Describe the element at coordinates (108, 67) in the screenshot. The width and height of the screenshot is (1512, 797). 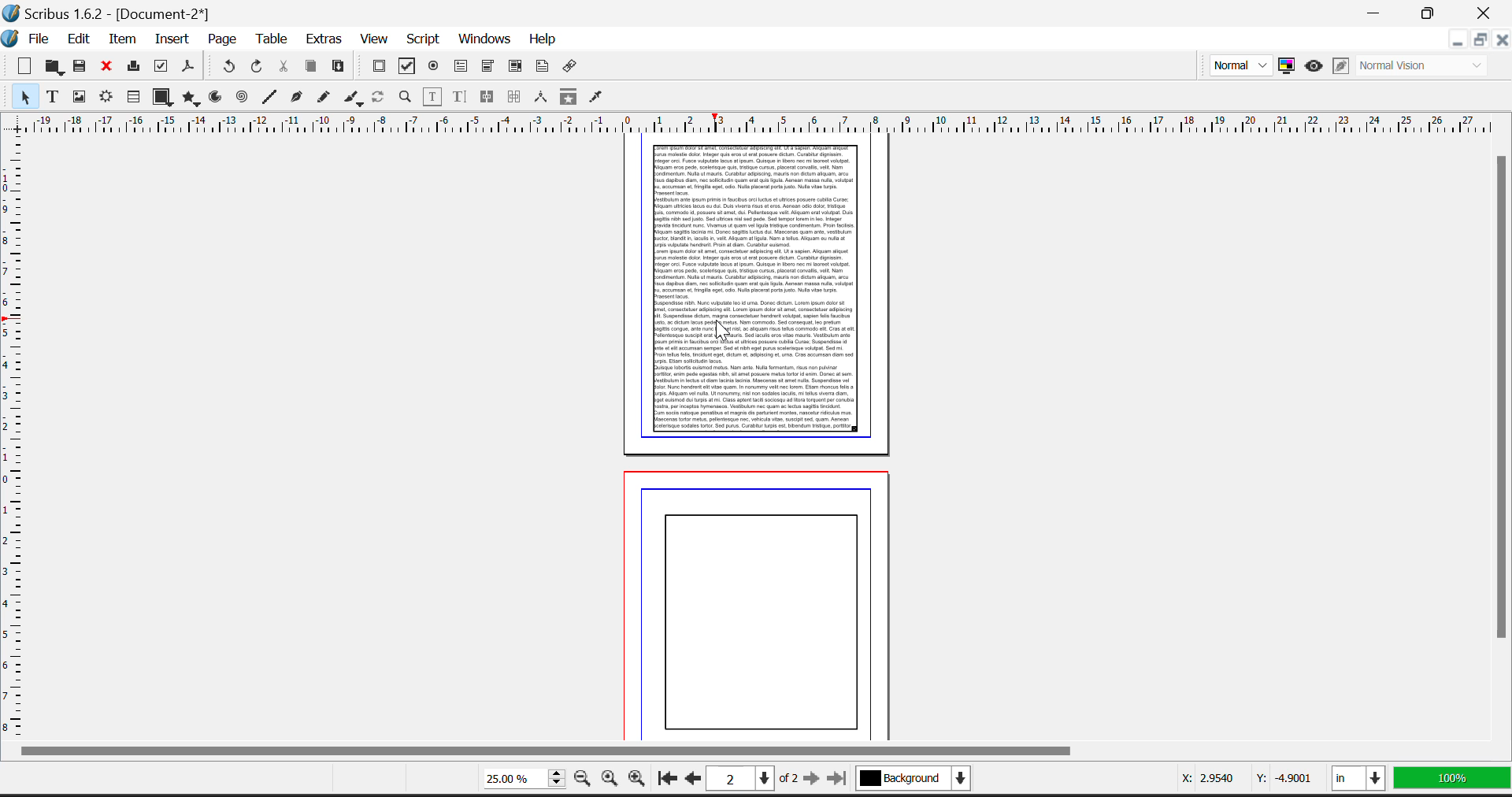
I see `Discard` at that location.